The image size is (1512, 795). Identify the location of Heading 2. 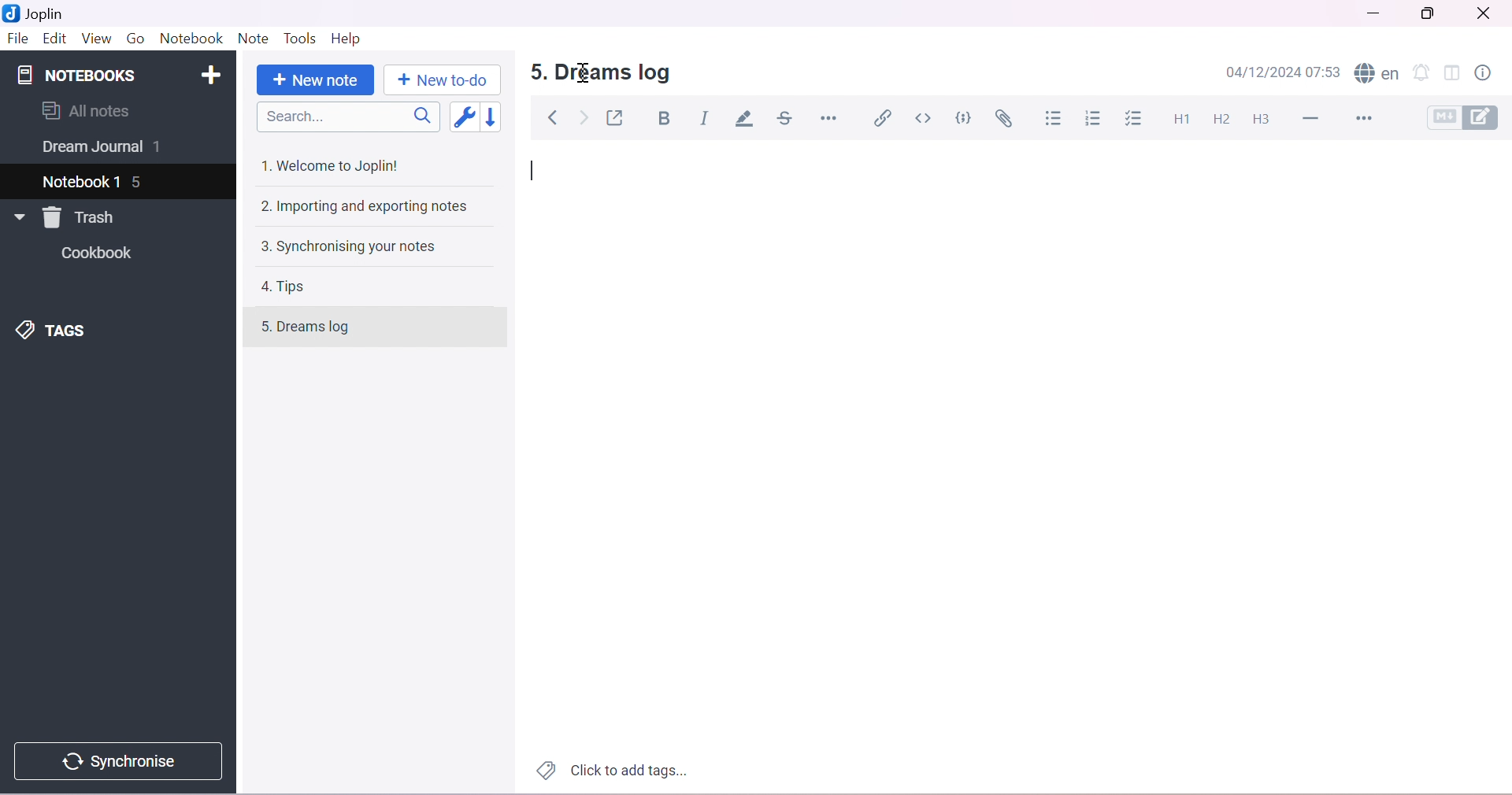
(1222, 120).